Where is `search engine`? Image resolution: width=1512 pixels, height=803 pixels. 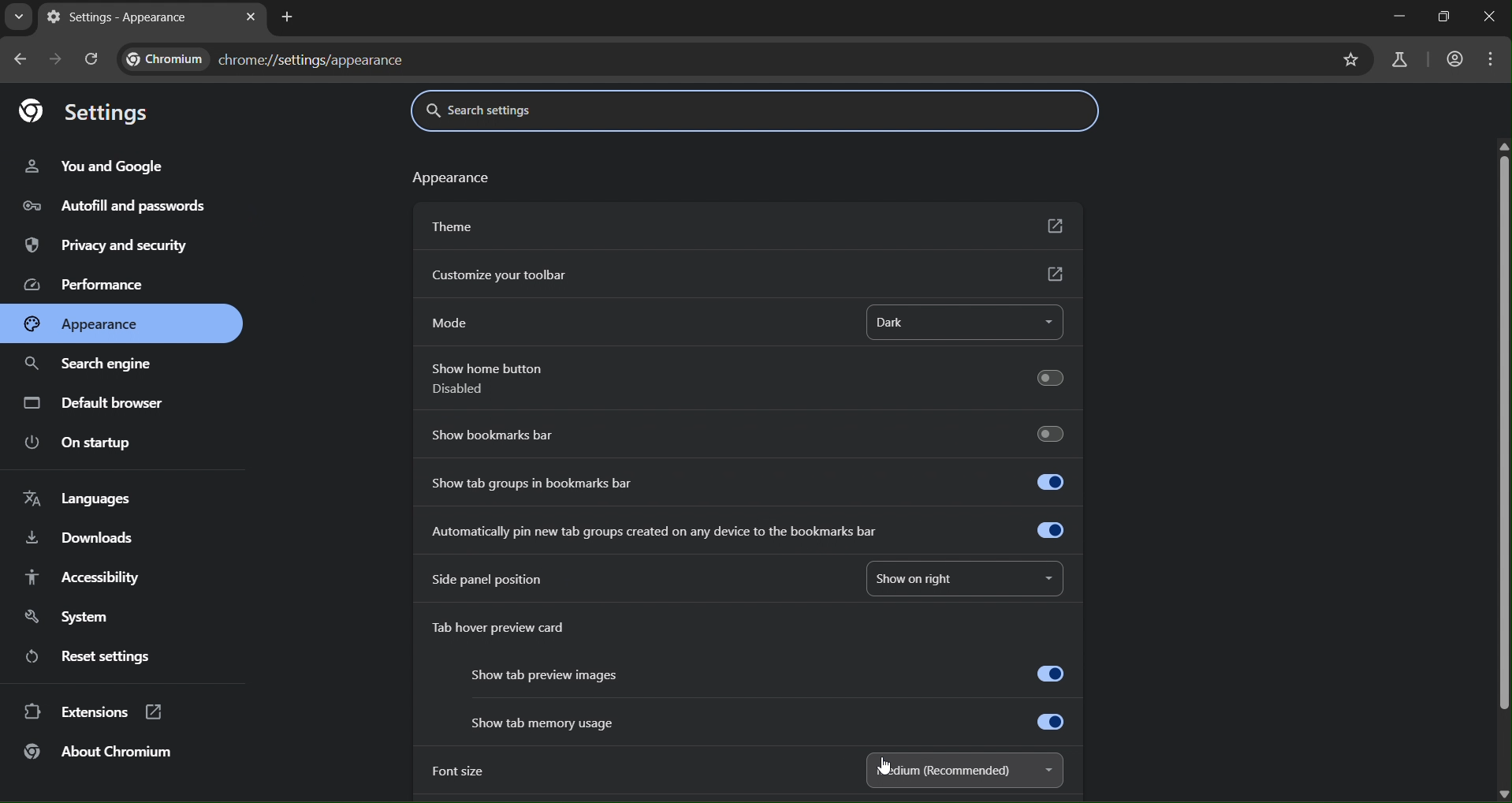 search engine is located at coordinates (88, 364).